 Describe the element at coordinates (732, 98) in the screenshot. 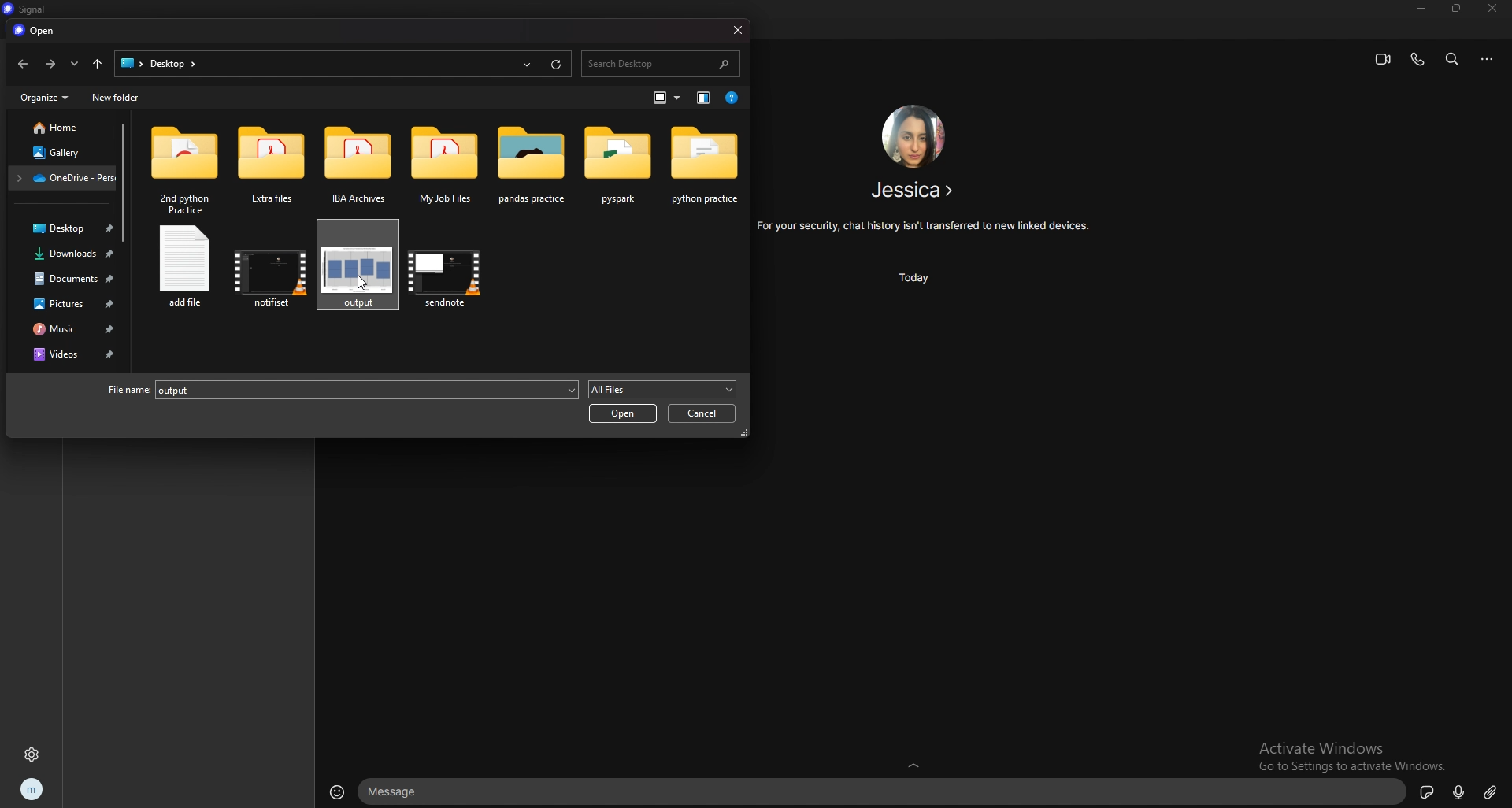

I see `help` at that location.